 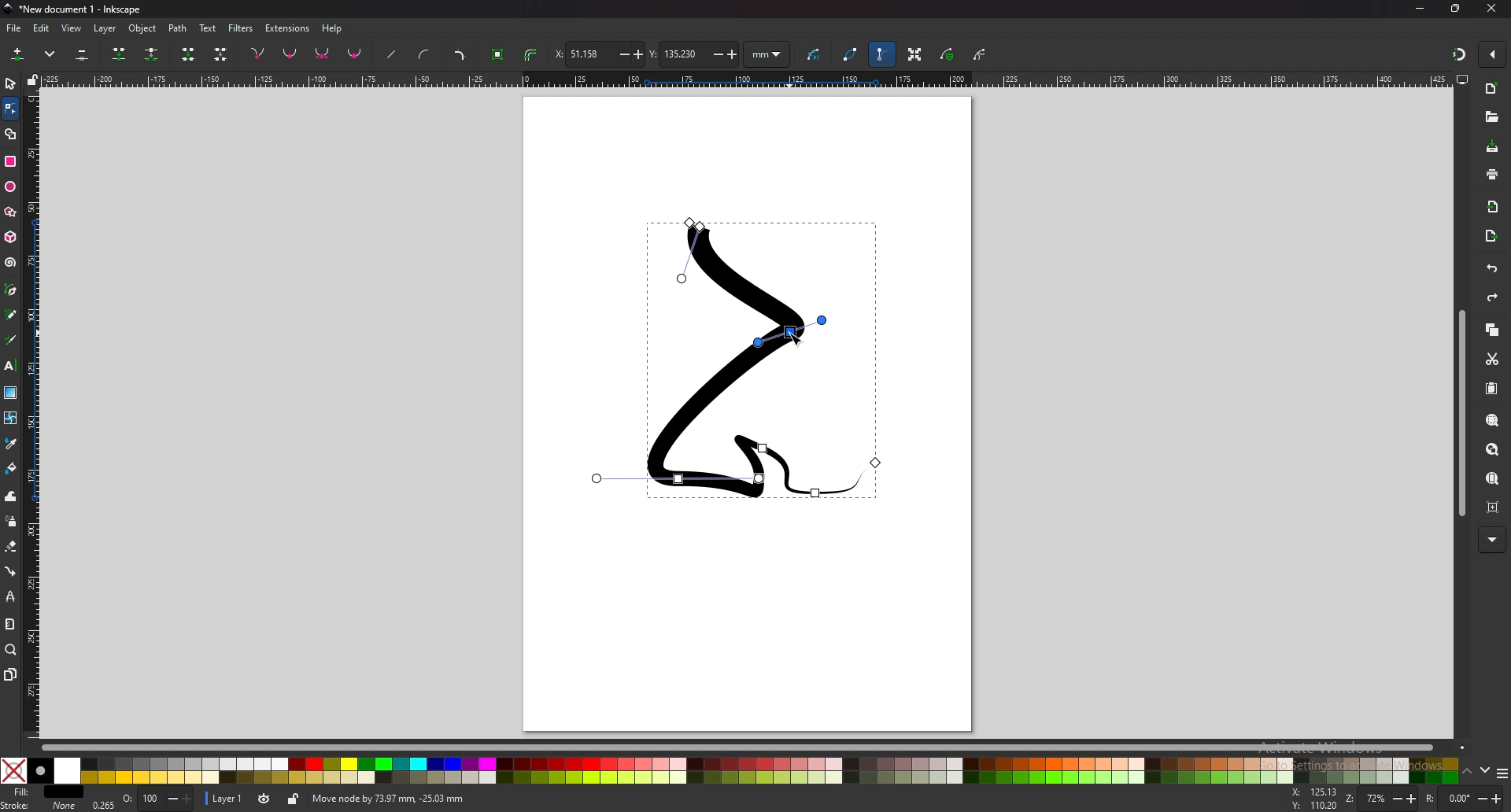 I want to click on toggle lock guide, so click(x=33, y=79).